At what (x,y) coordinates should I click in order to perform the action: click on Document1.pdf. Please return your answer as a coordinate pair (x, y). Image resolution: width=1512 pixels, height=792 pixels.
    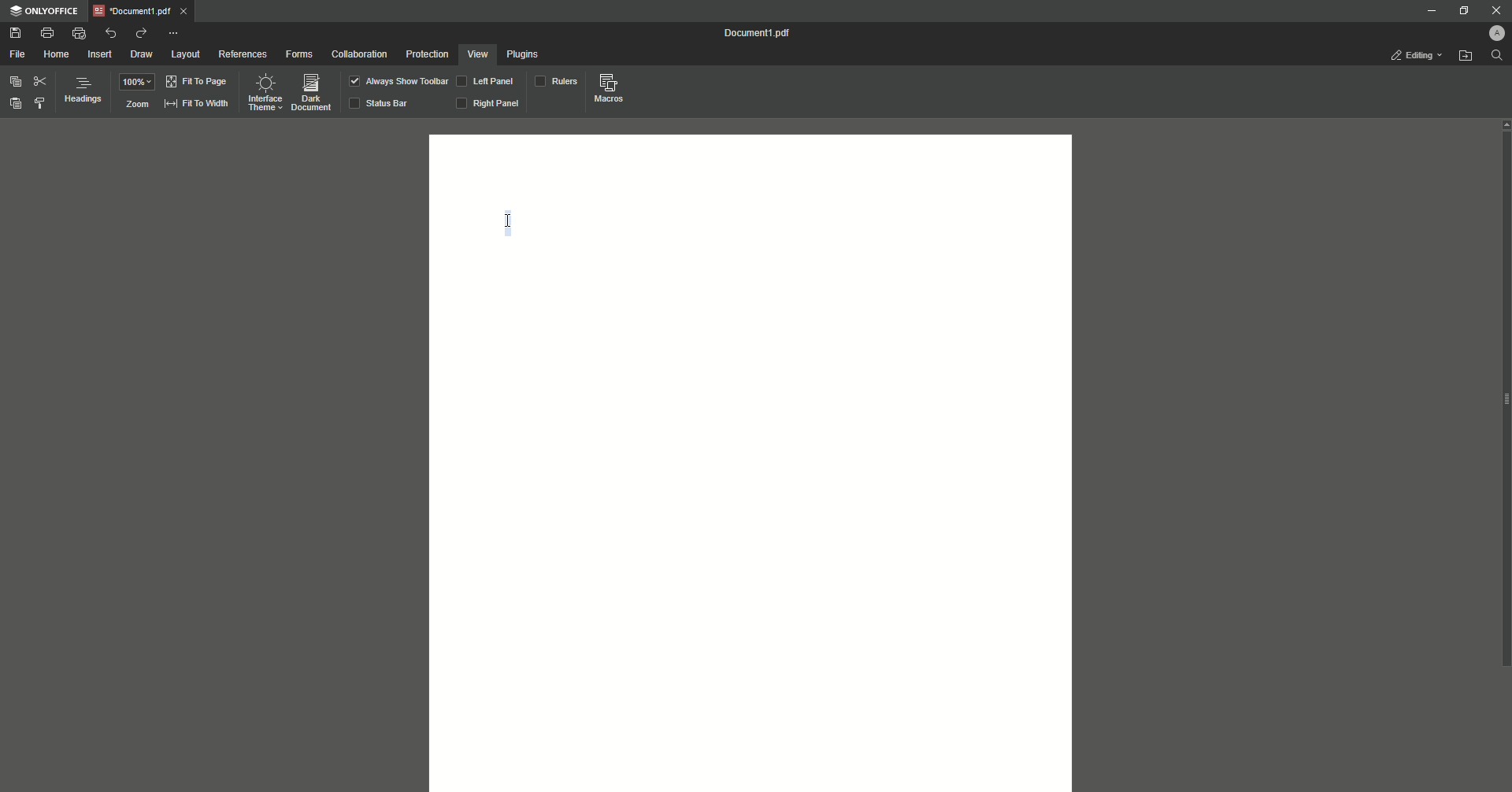
    Looking at the image, I should click on (750, 34).